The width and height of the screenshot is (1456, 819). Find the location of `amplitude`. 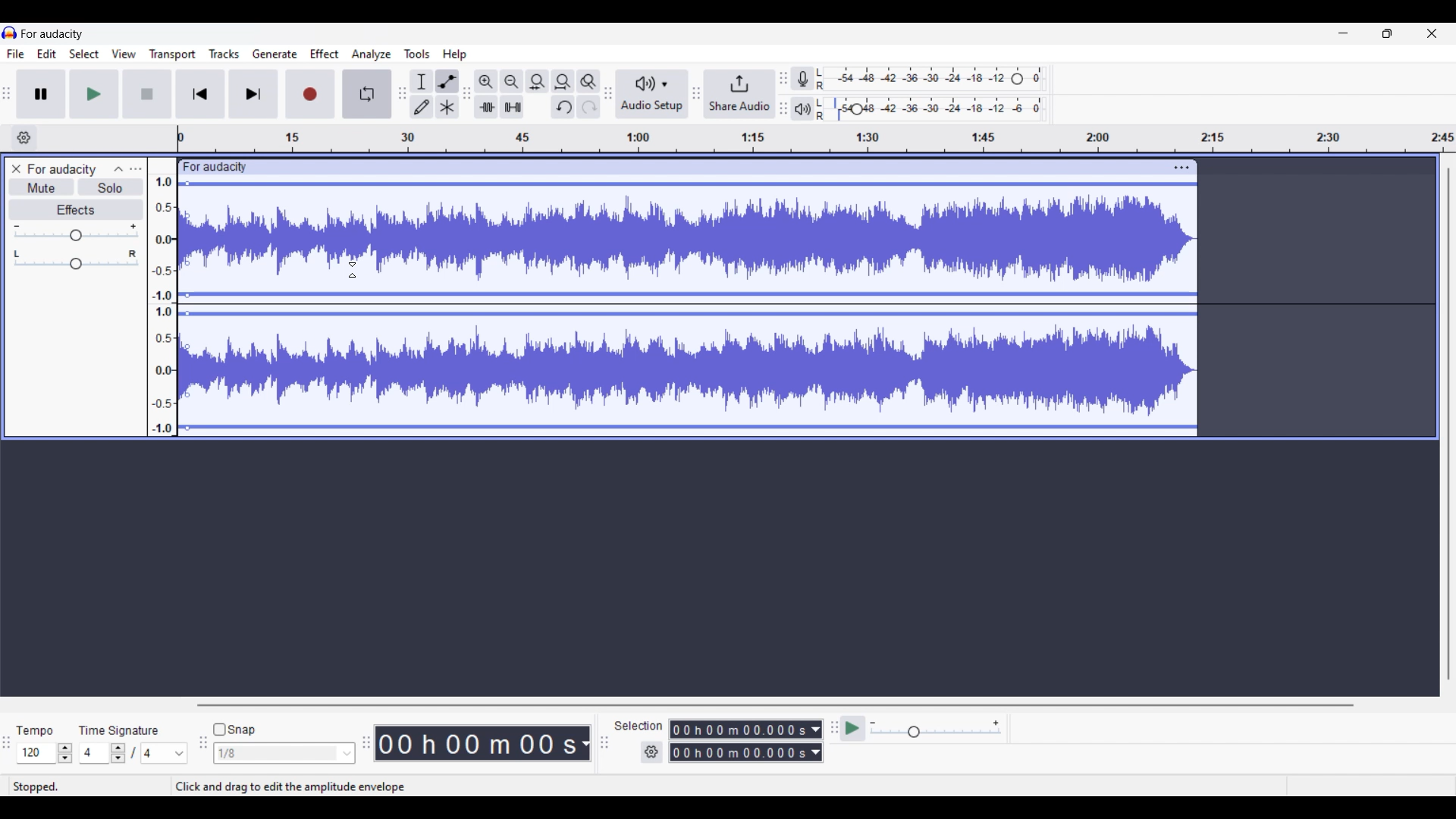

amplitude is located at coordinates (163, 305).